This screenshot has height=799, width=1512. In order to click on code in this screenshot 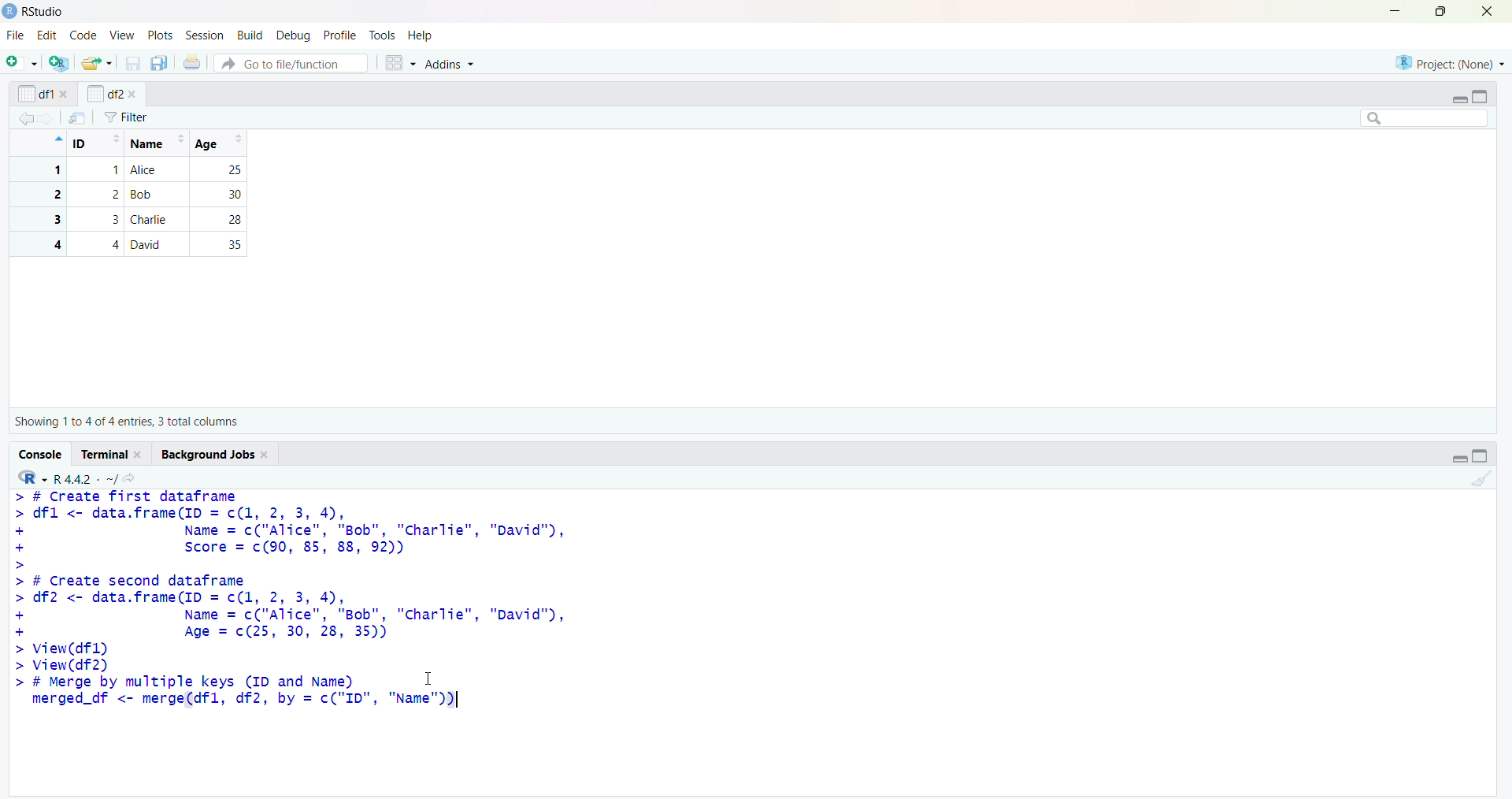, I will do `click(84, 35)`.